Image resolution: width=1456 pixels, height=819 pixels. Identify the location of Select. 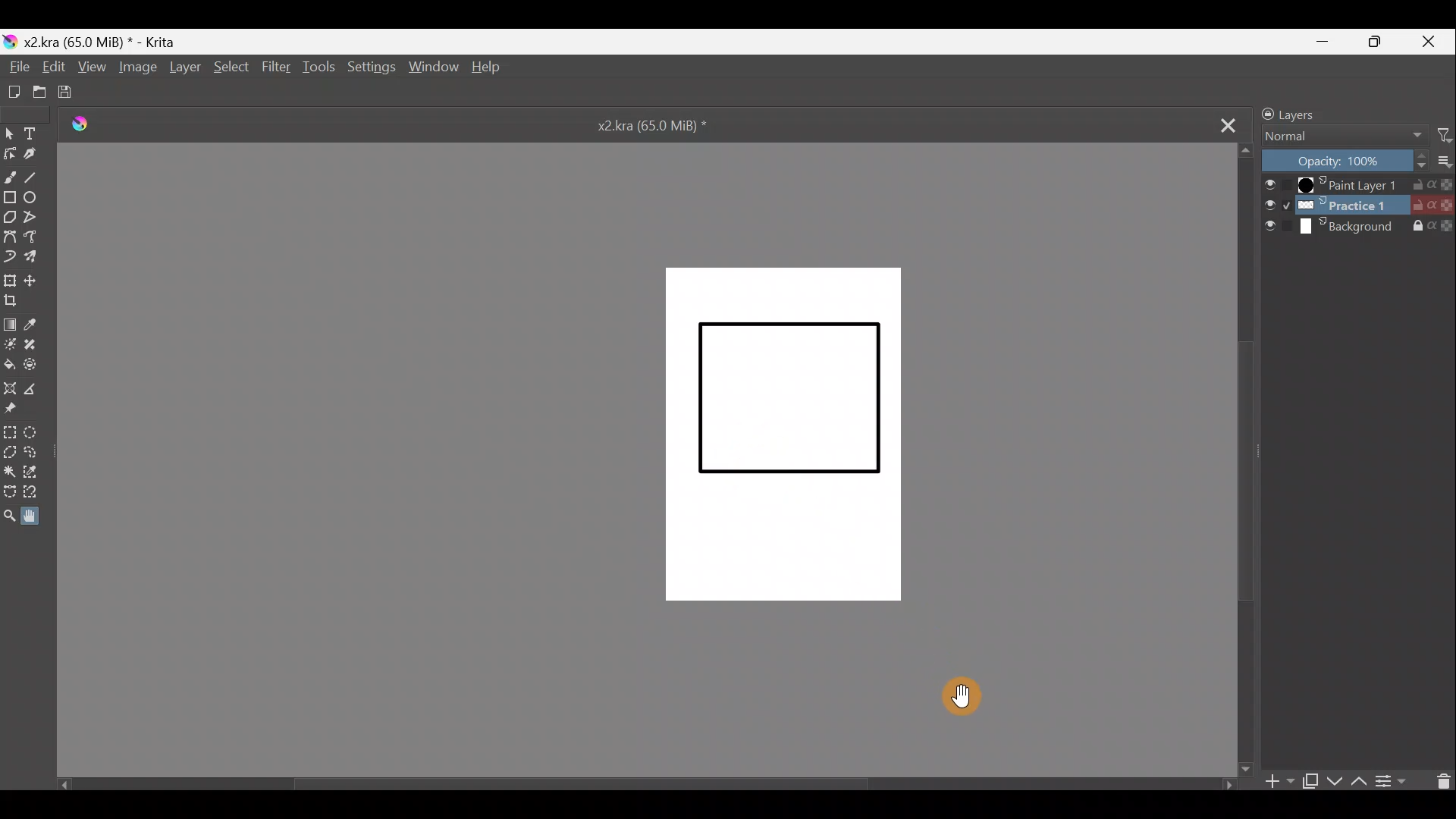
(231, 71).